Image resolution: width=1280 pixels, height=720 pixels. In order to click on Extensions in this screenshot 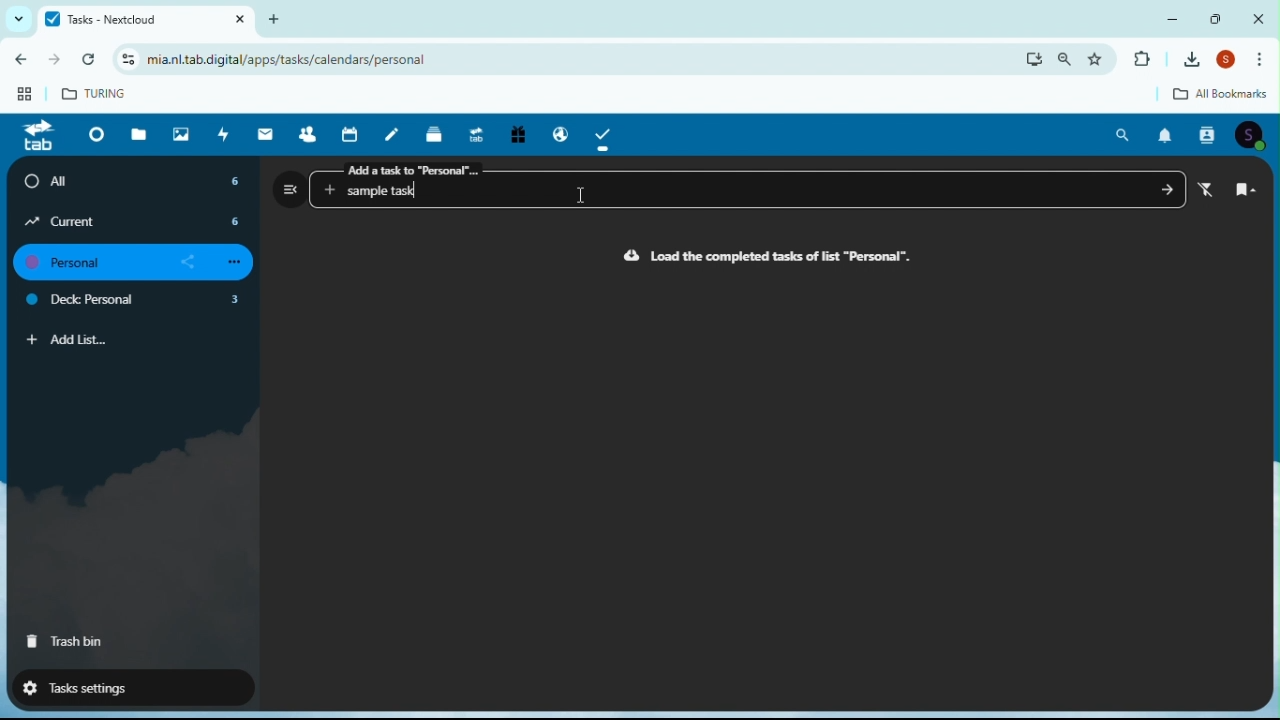, I will do `click(1141, 60)`.